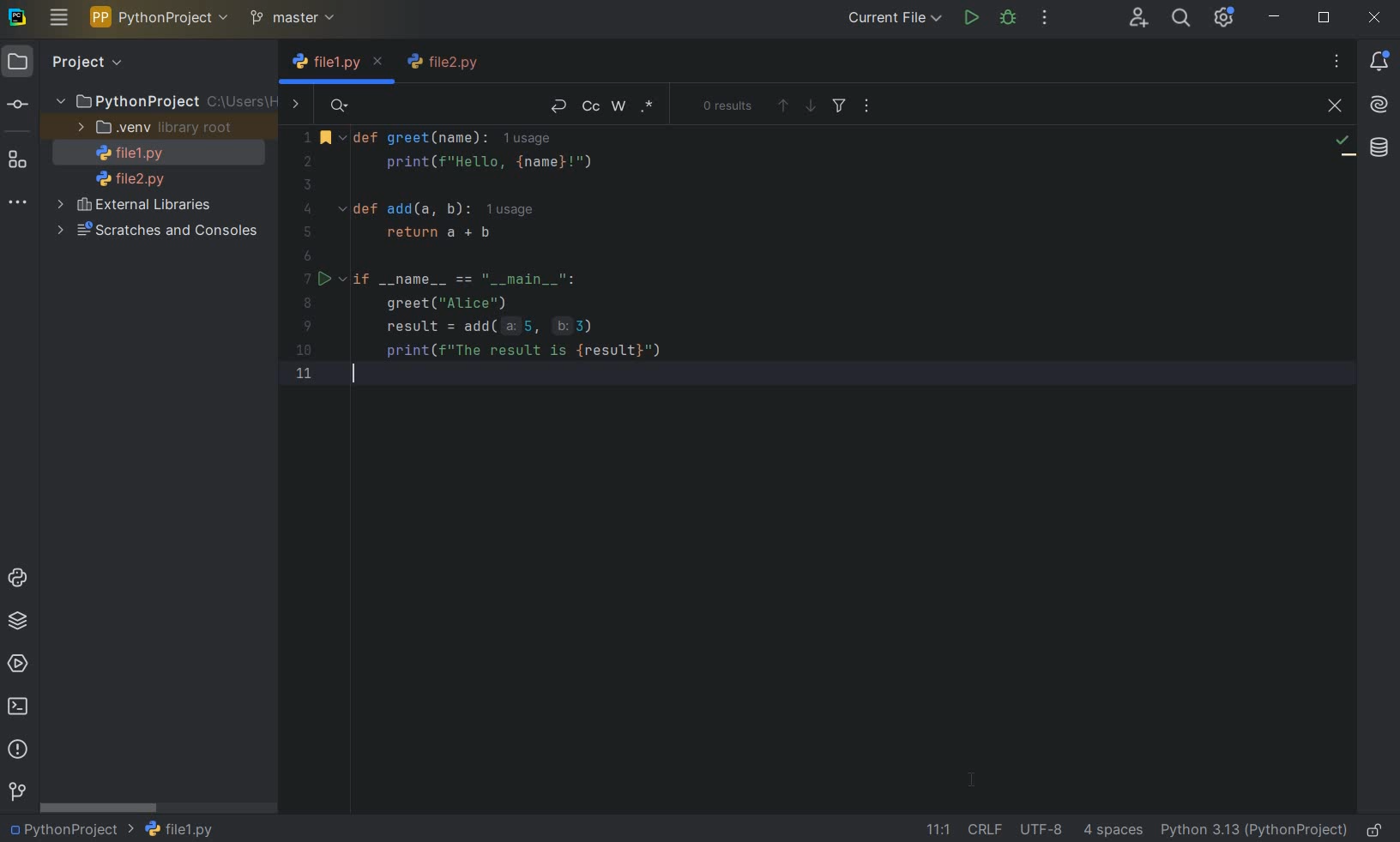 This screenshot has height=842, width=1400. What do you see at coordinates (159, 232) in the screenshot?
I see `SCRATCHES AND CONSOLES` at bounding box center [159, 232].